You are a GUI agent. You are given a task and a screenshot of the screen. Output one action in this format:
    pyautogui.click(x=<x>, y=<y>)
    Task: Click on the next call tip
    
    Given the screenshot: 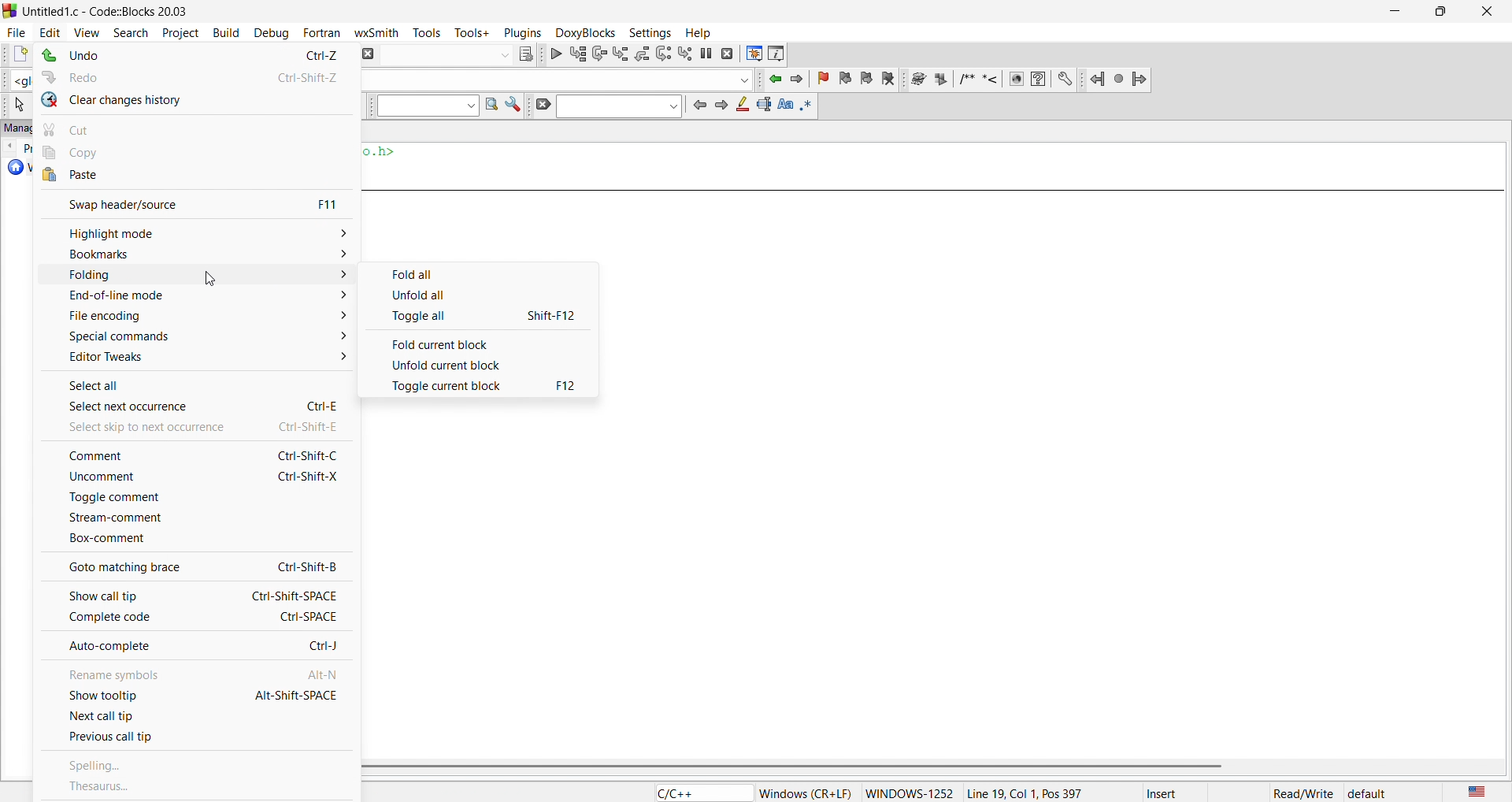 What is the action you would take?
    pyautogui.click(x=197, y=717)
    